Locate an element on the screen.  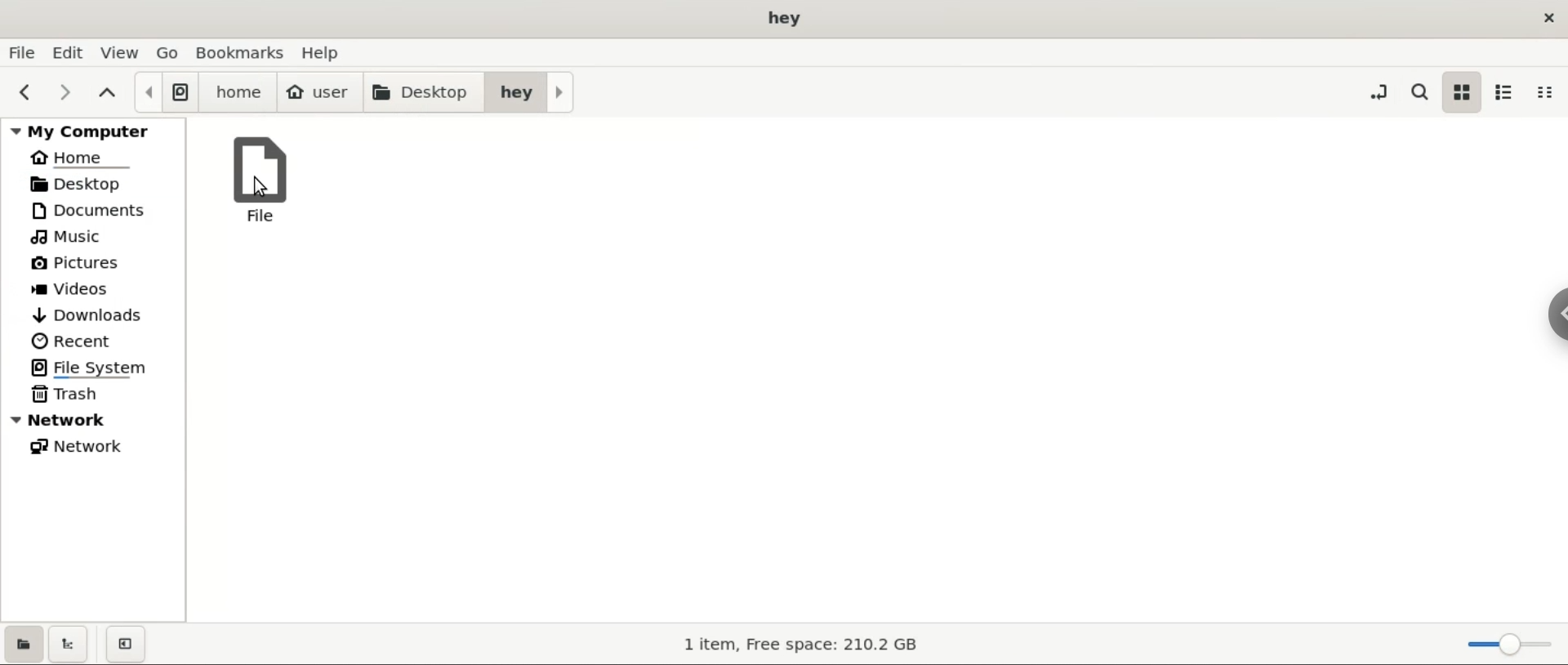
home is located at coordinates (92, 160).